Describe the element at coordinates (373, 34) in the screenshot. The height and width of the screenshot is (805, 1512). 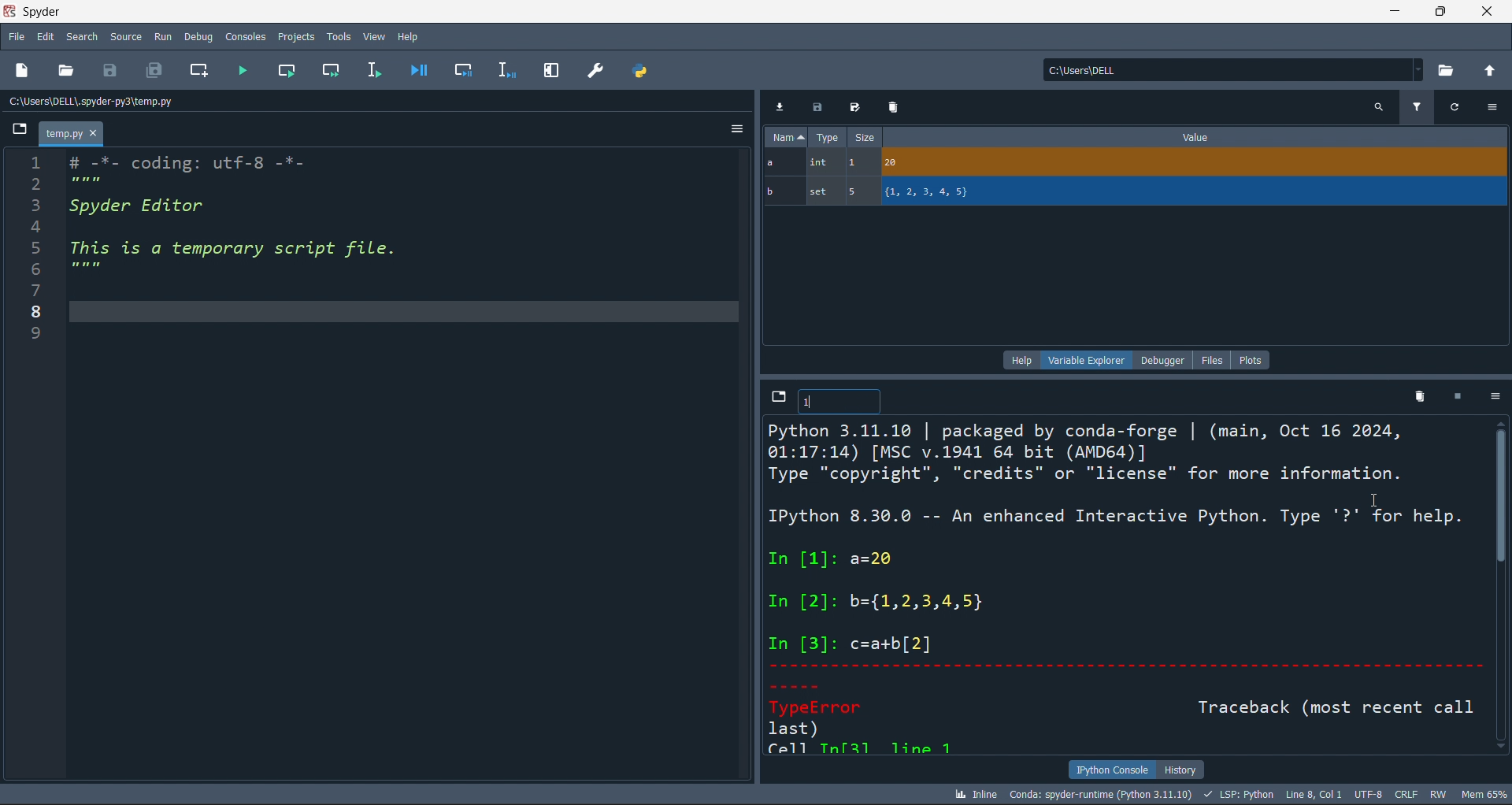
I see `view` at that location.